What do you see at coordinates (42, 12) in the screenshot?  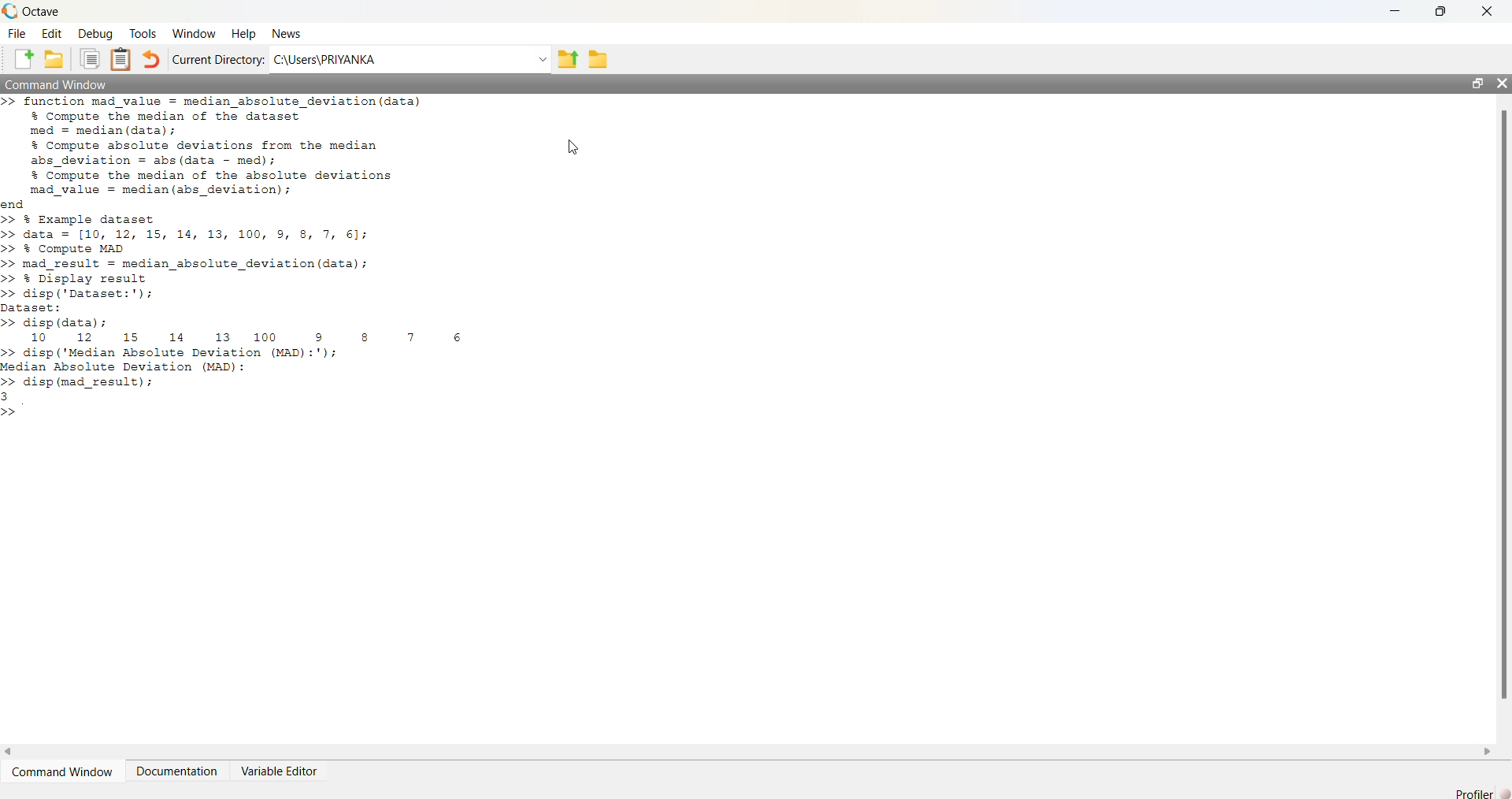 I see `Octave` at bounding box center [42, 12].